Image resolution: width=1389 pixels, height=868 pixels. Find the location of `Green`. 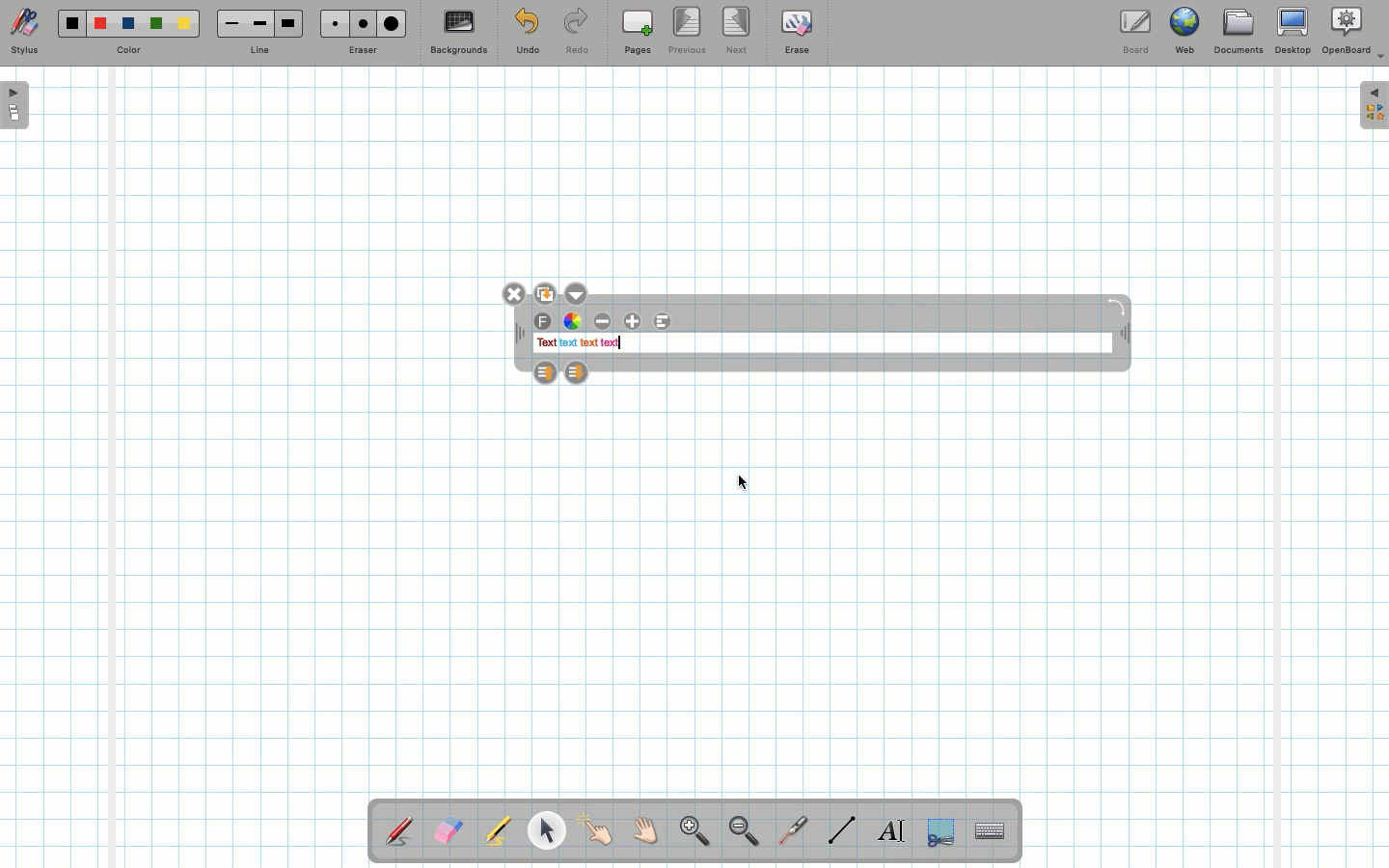

Green is located at coordinates (156, 25).